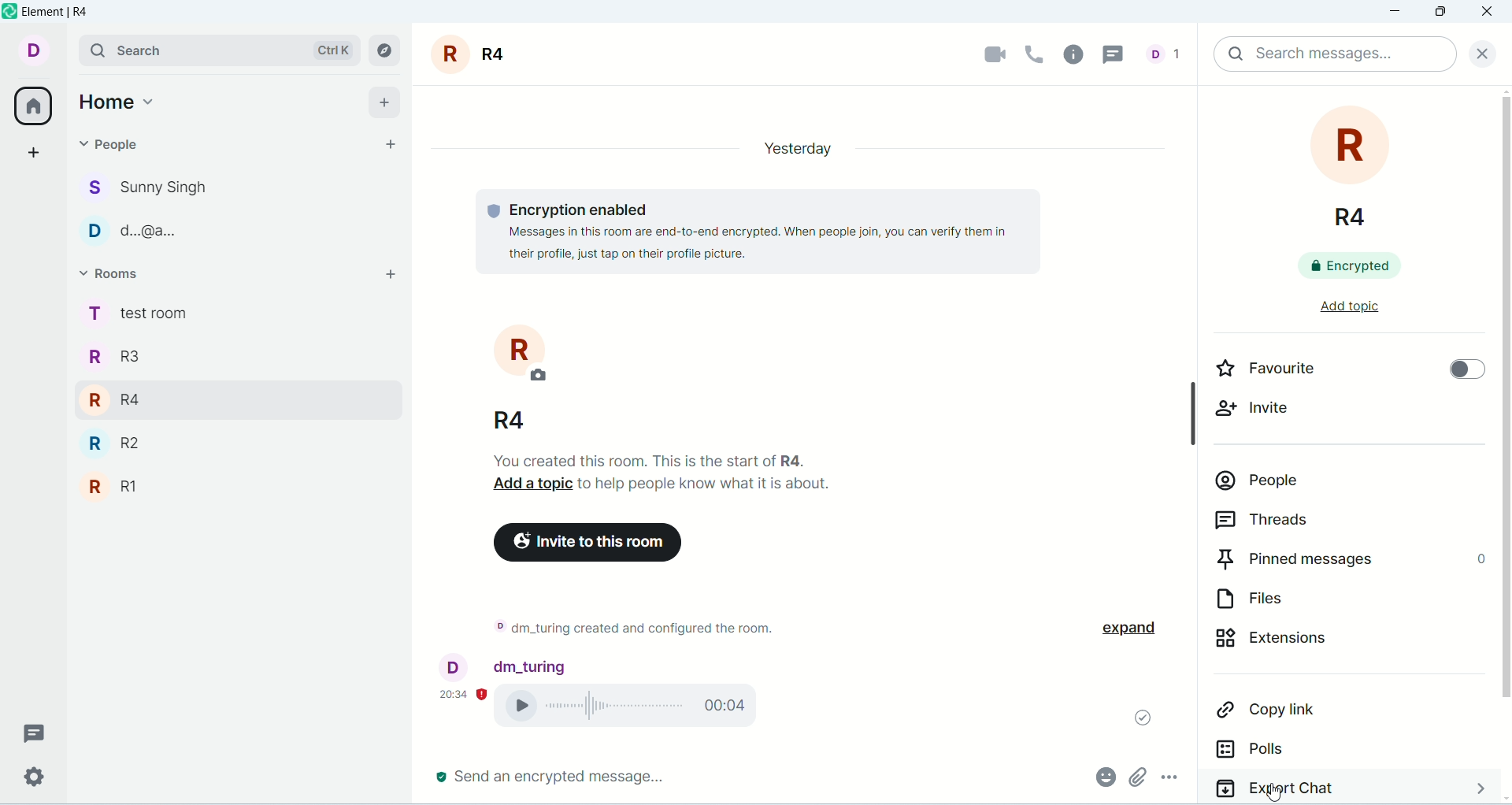 This screenshot has height=805, width=1512. I want to click on voice call, so click(1036, 53).